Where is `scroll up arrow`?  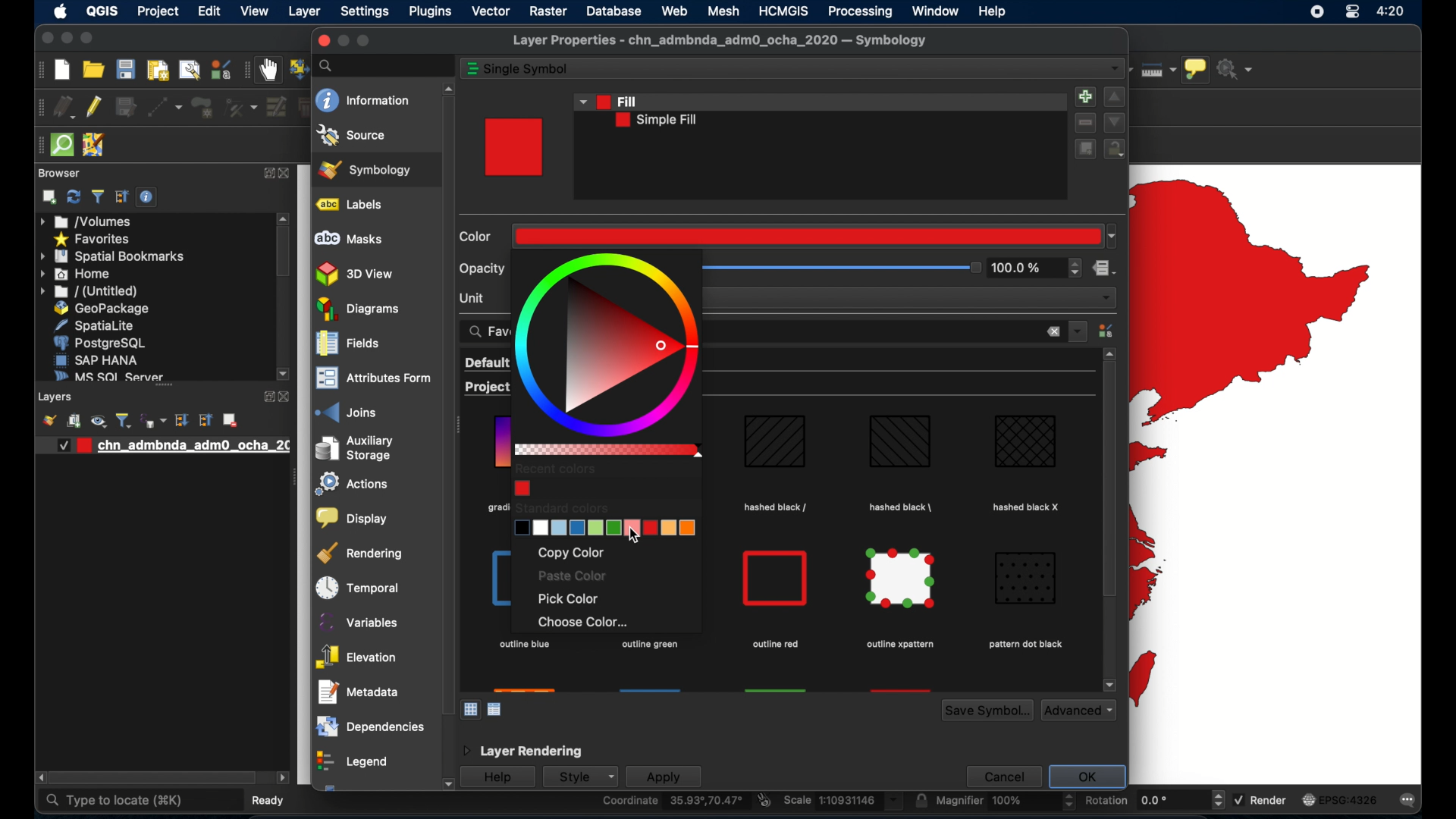 scroll up arrow is located at coordinates (1110, 353).